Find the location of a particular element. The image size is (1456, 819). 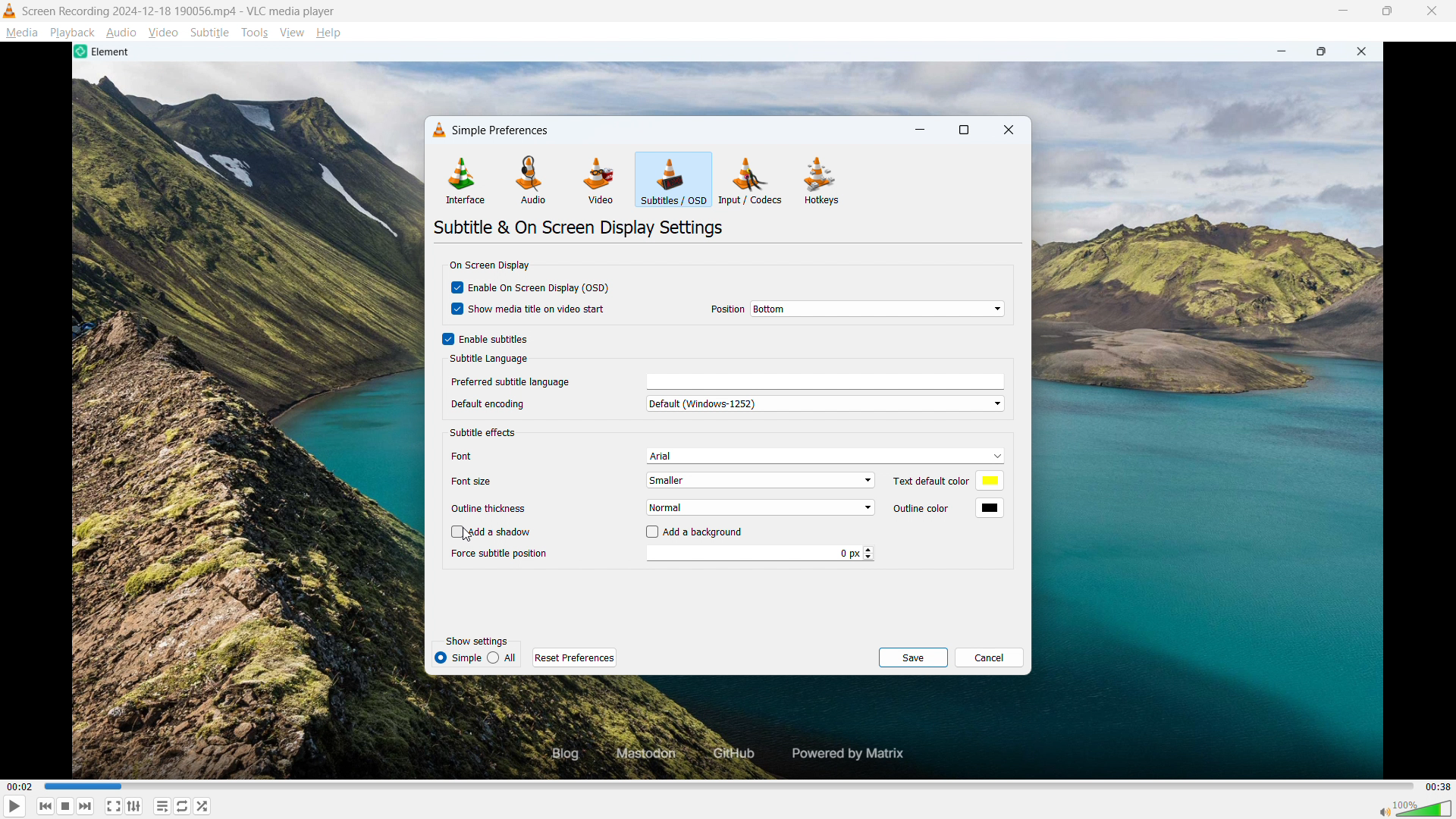

Audio  is located at coordinates (534, 180).